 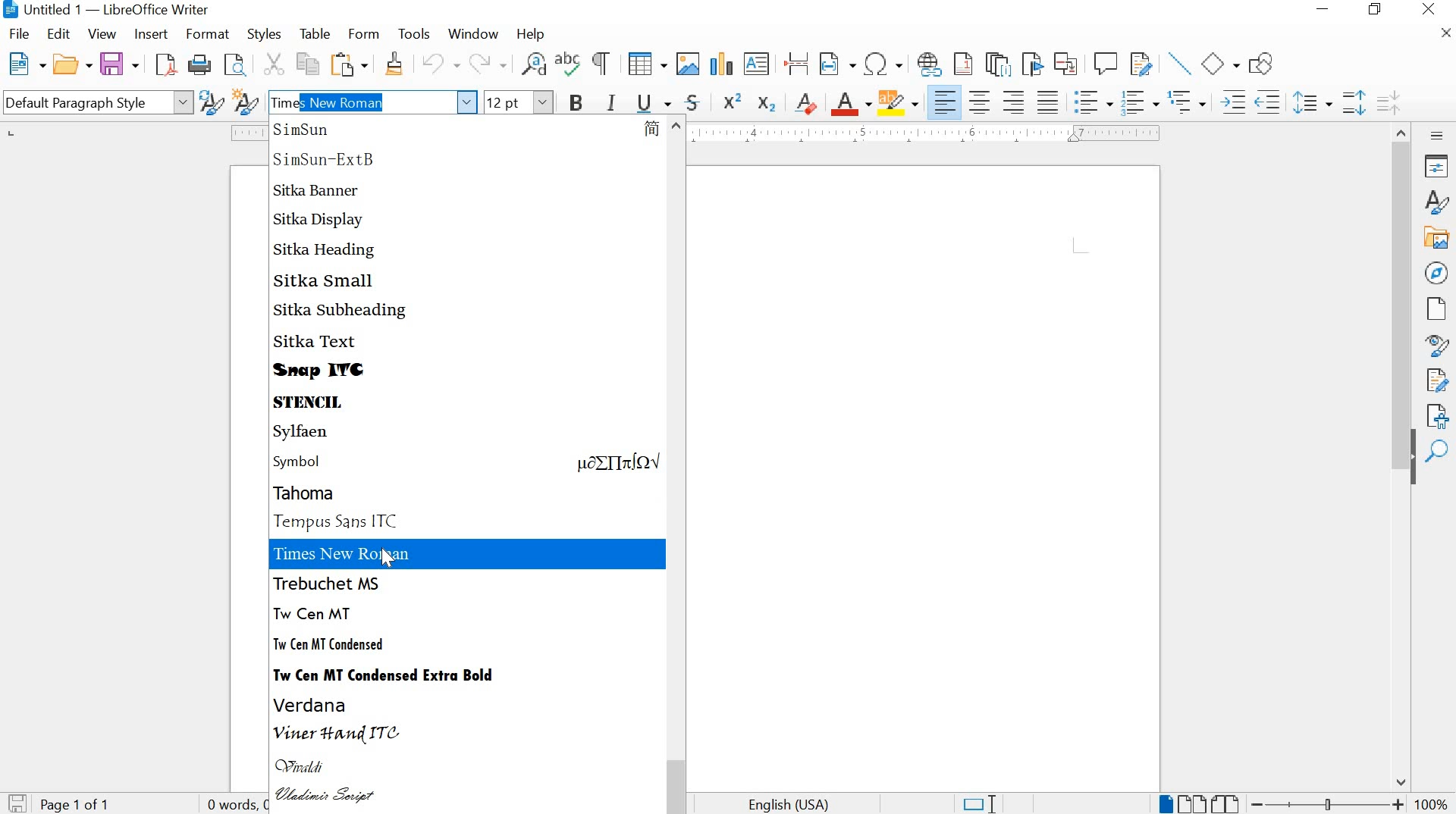 What do you see at coordinates (246, 101) in the screenshot?
I see `NEW STYLE FROM SELECTION` at bounding box center [246, 101].